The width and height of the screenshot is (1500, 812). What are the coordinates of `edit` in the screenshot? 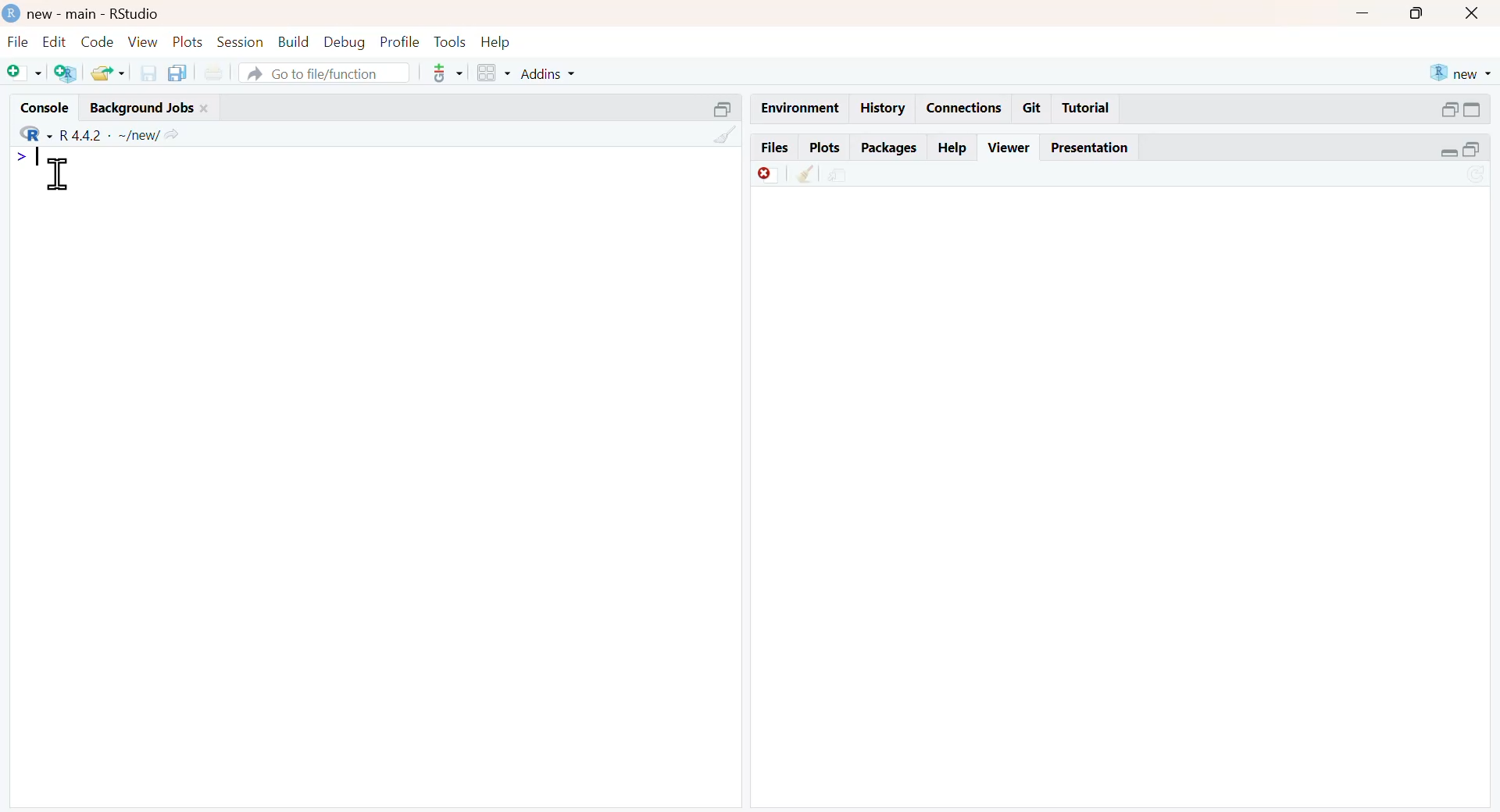 It's located at (54, 41).